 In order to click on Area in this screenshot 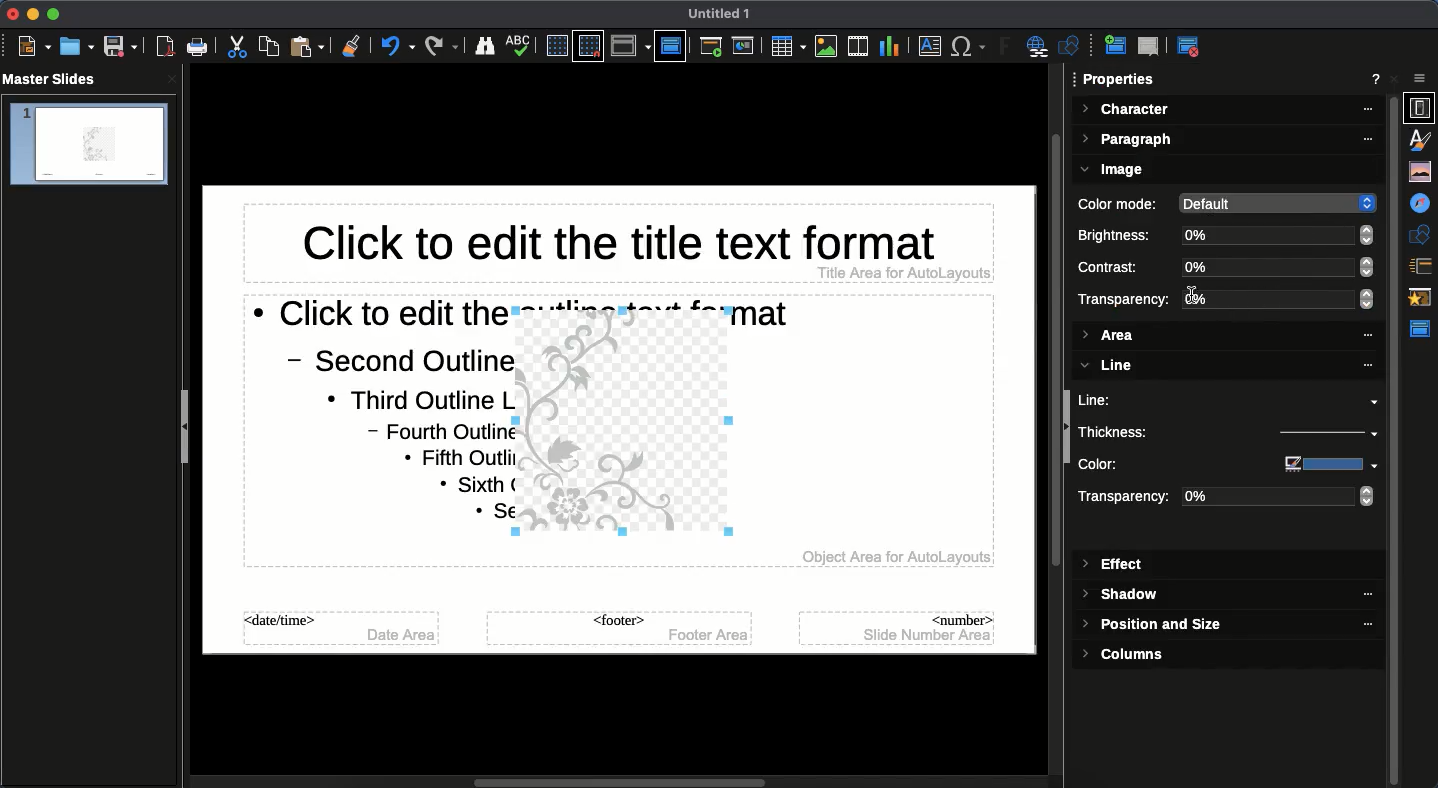, I will do `click(1227, 335)`.